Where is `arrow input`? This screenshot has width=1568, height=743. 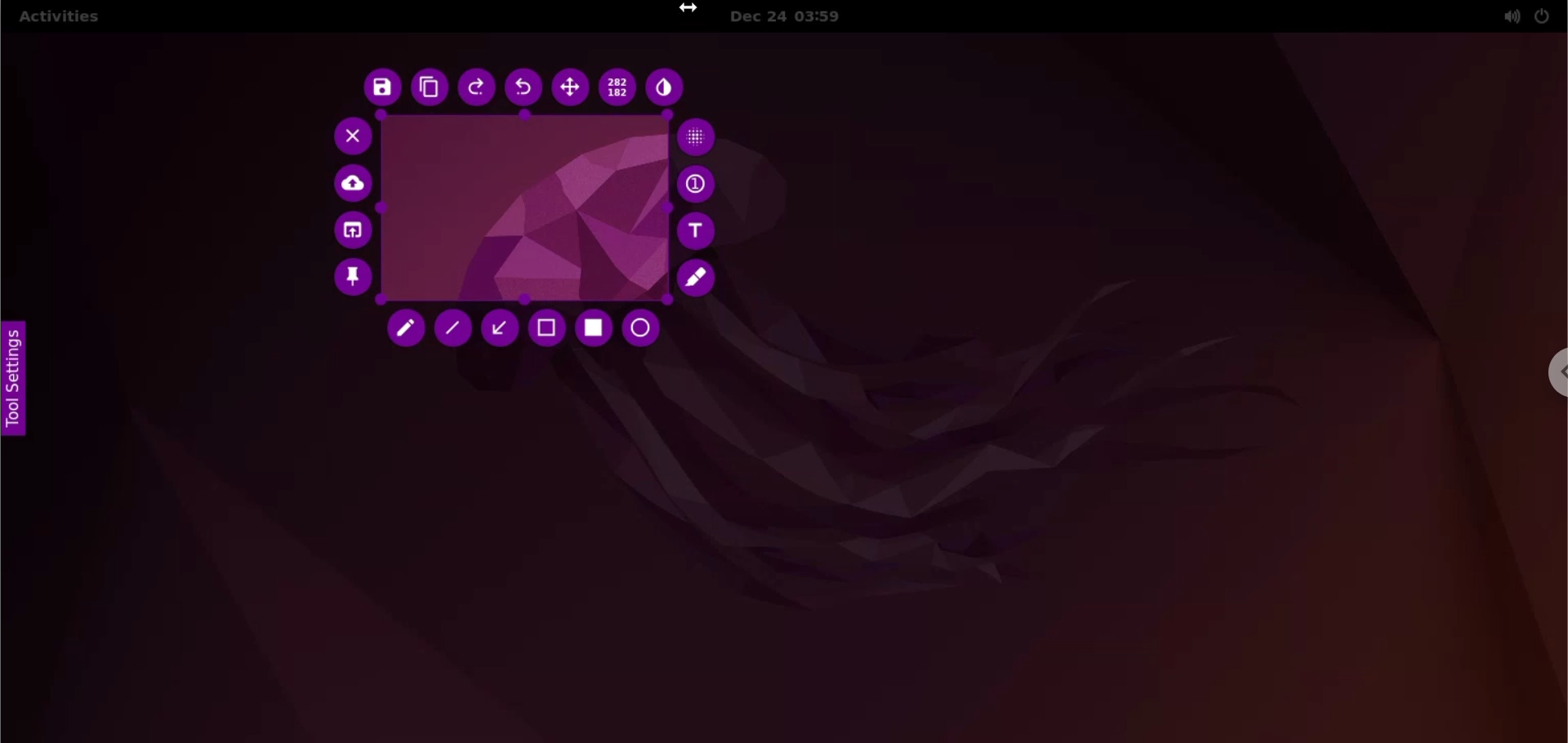 arrow input is located at coordinates (502, 331).